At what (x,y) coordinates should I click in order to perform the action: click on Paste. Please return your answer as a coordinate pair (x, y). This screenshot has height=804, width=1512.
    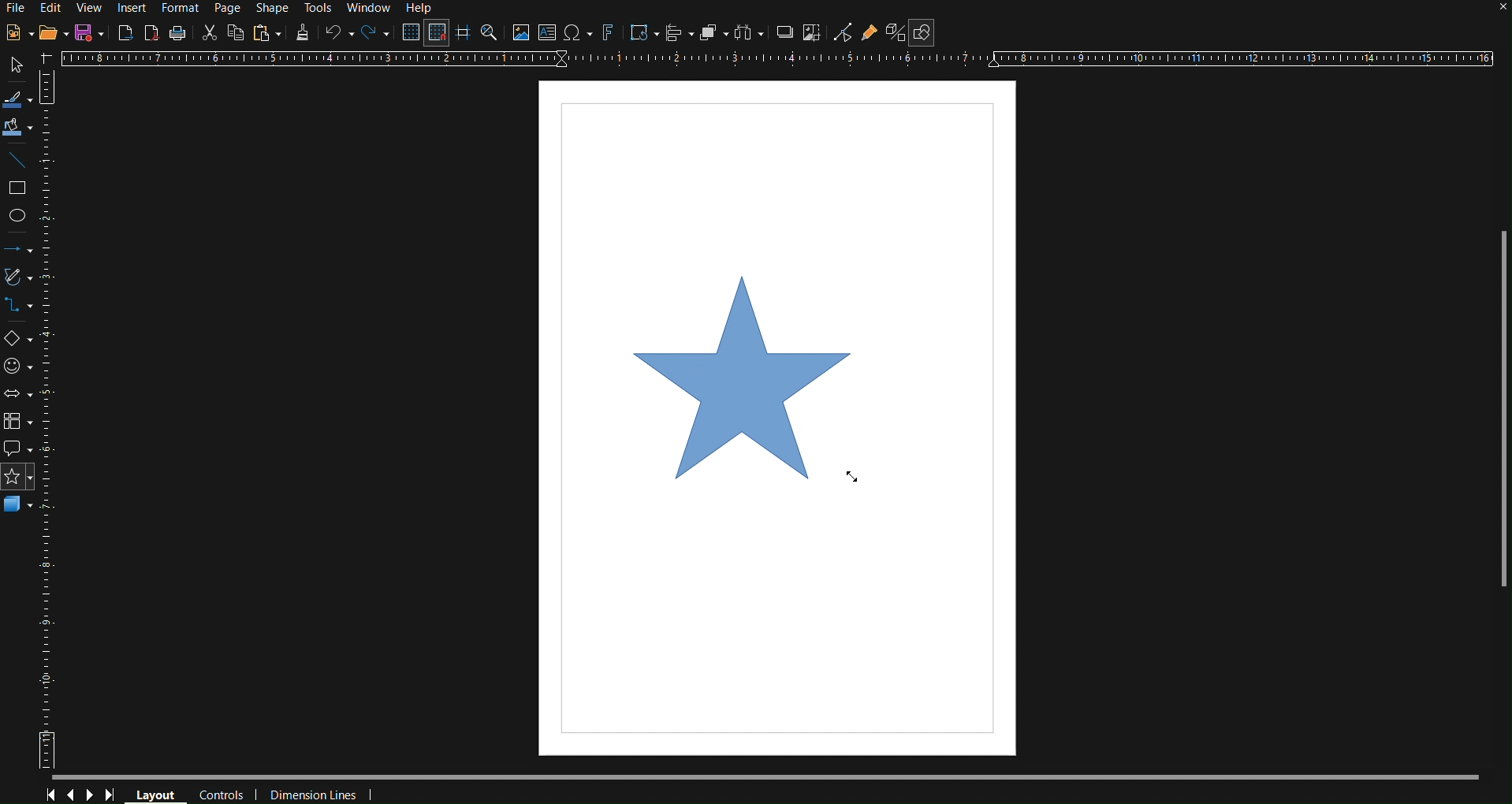
    Looking at the image, I should click on (266, 33).